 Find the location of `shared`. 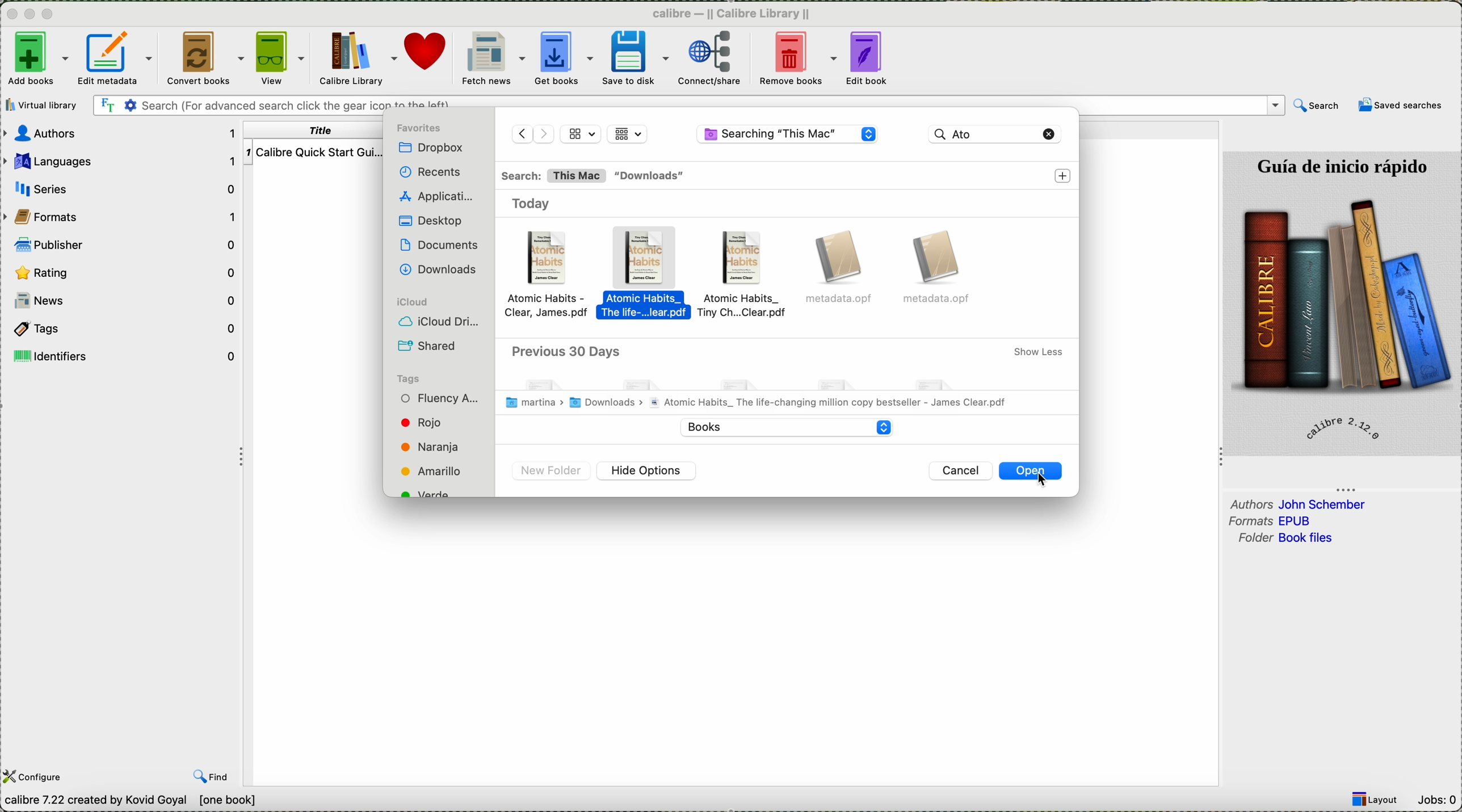

shared is located at coordinates (431, 346).